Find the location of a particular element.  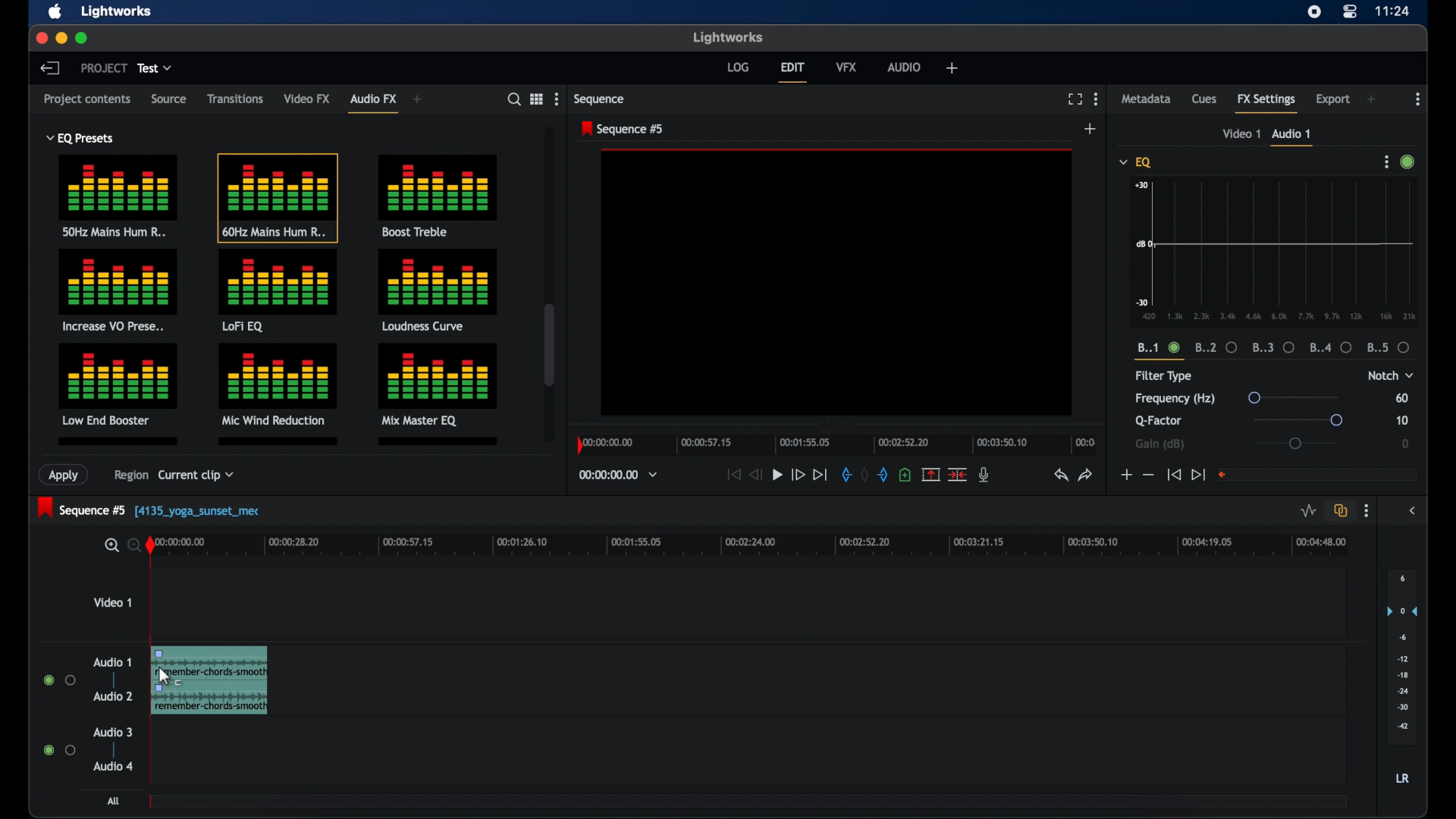

jump to start is located at coordinates (733, 475).